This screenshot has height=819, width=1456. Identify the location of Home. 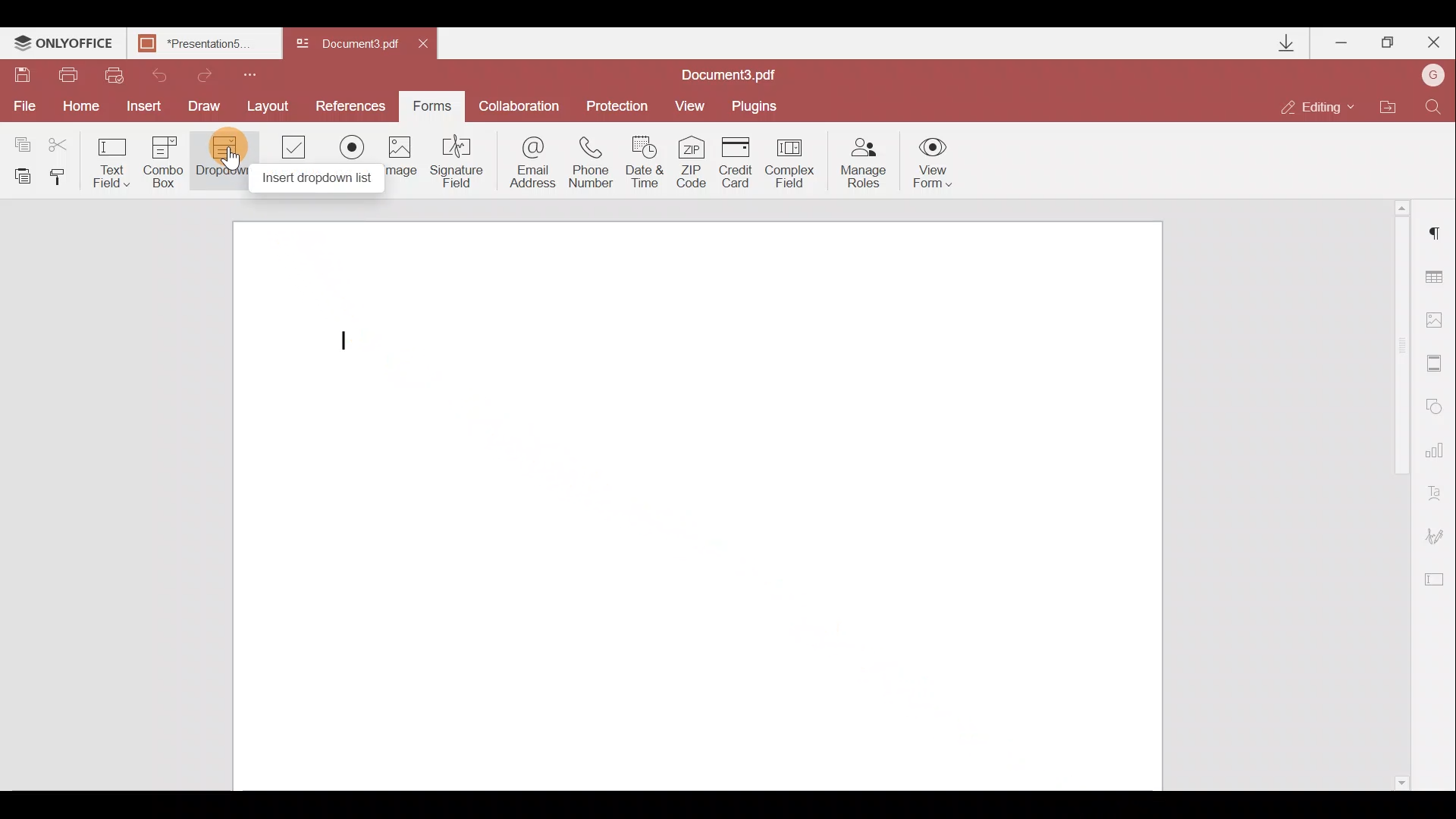
(78, 106).